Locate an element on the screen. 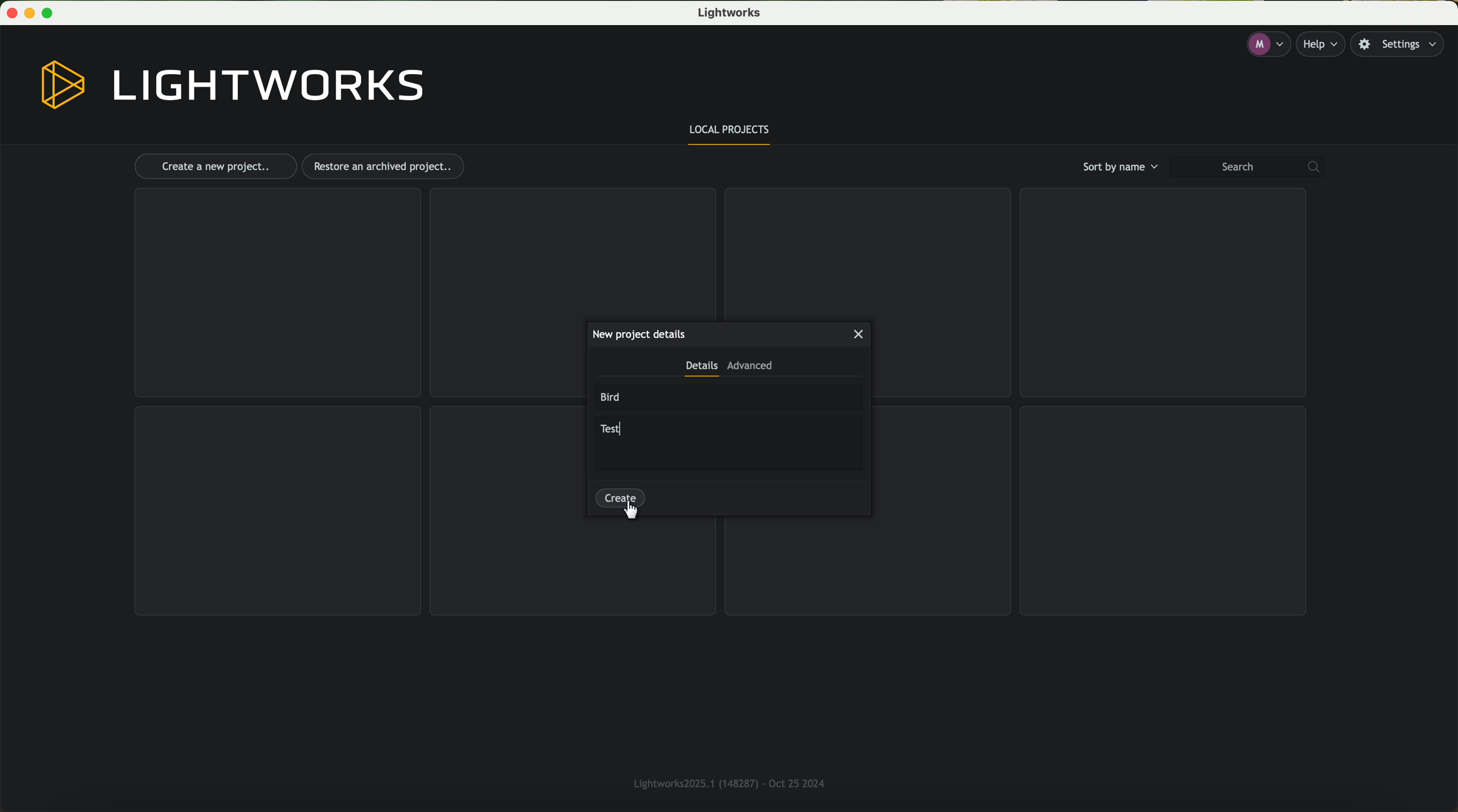 The height and width of the screenshot is (812, 1458). Lightworks logo is located at coordinates (233, 85).